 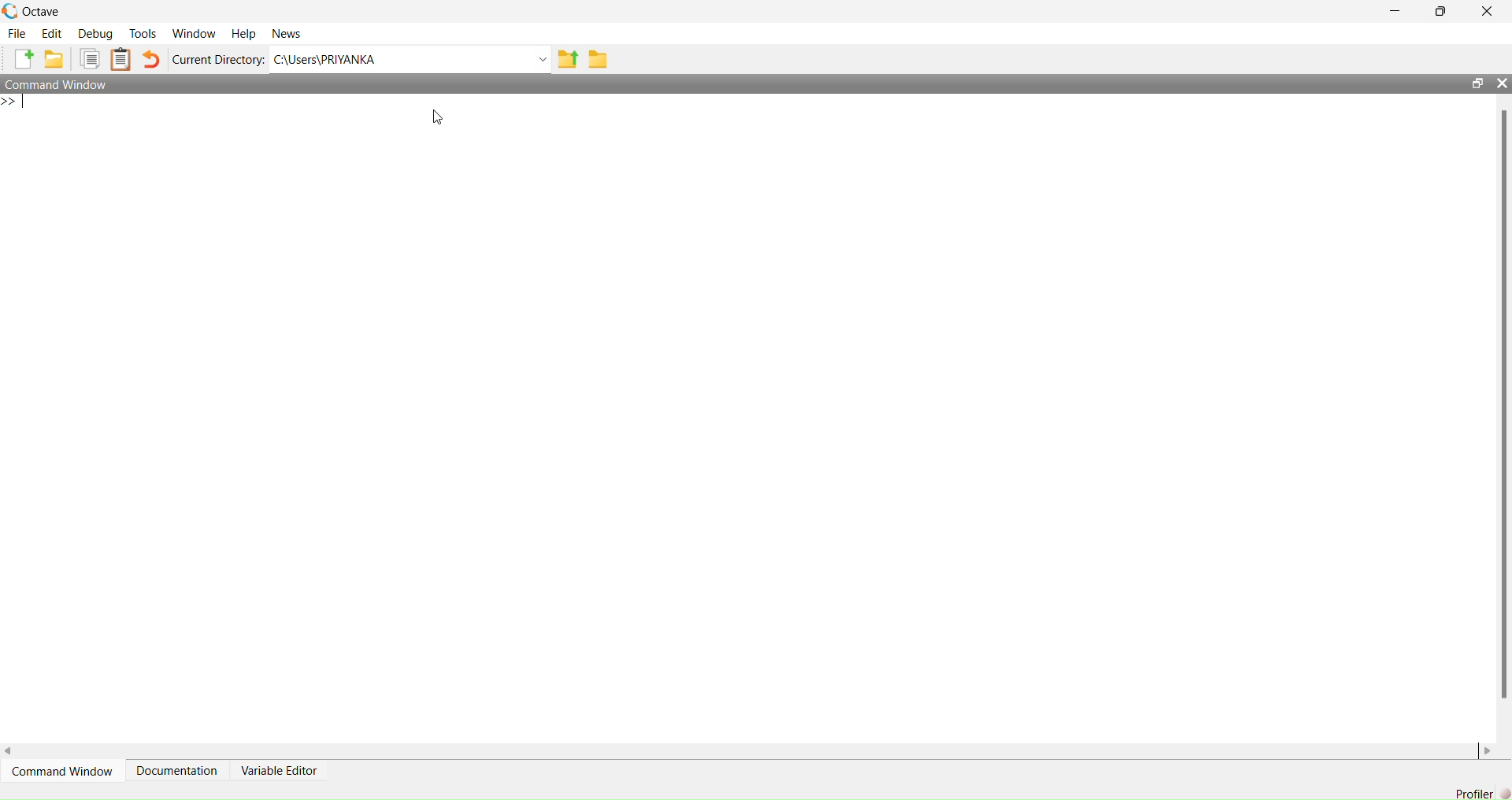 I want to click on scroll right, so click(x=1488, y=753).